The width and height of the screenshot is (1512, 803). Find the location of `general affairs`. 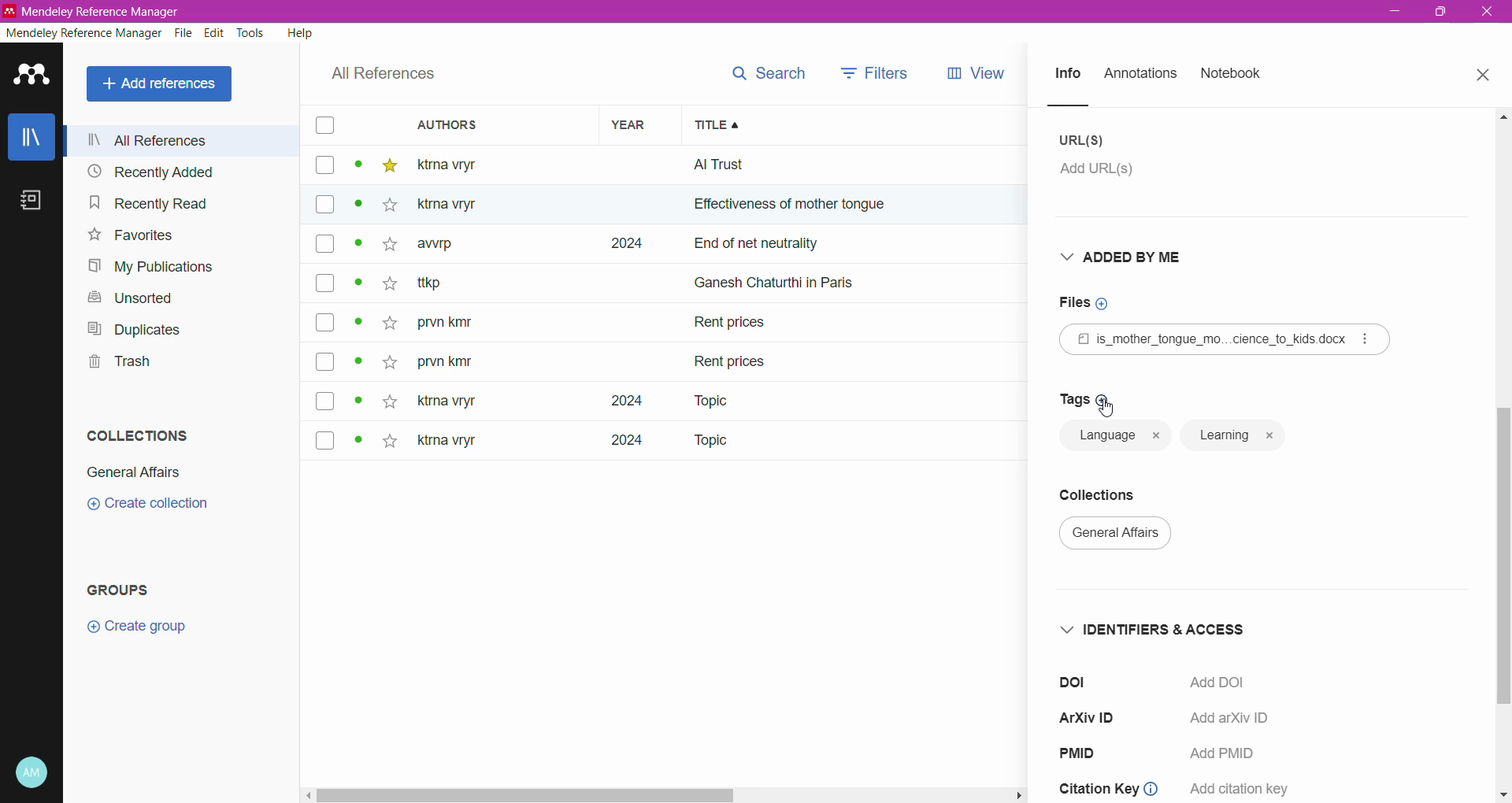

general affairs is located at coordinates (1122, 538).